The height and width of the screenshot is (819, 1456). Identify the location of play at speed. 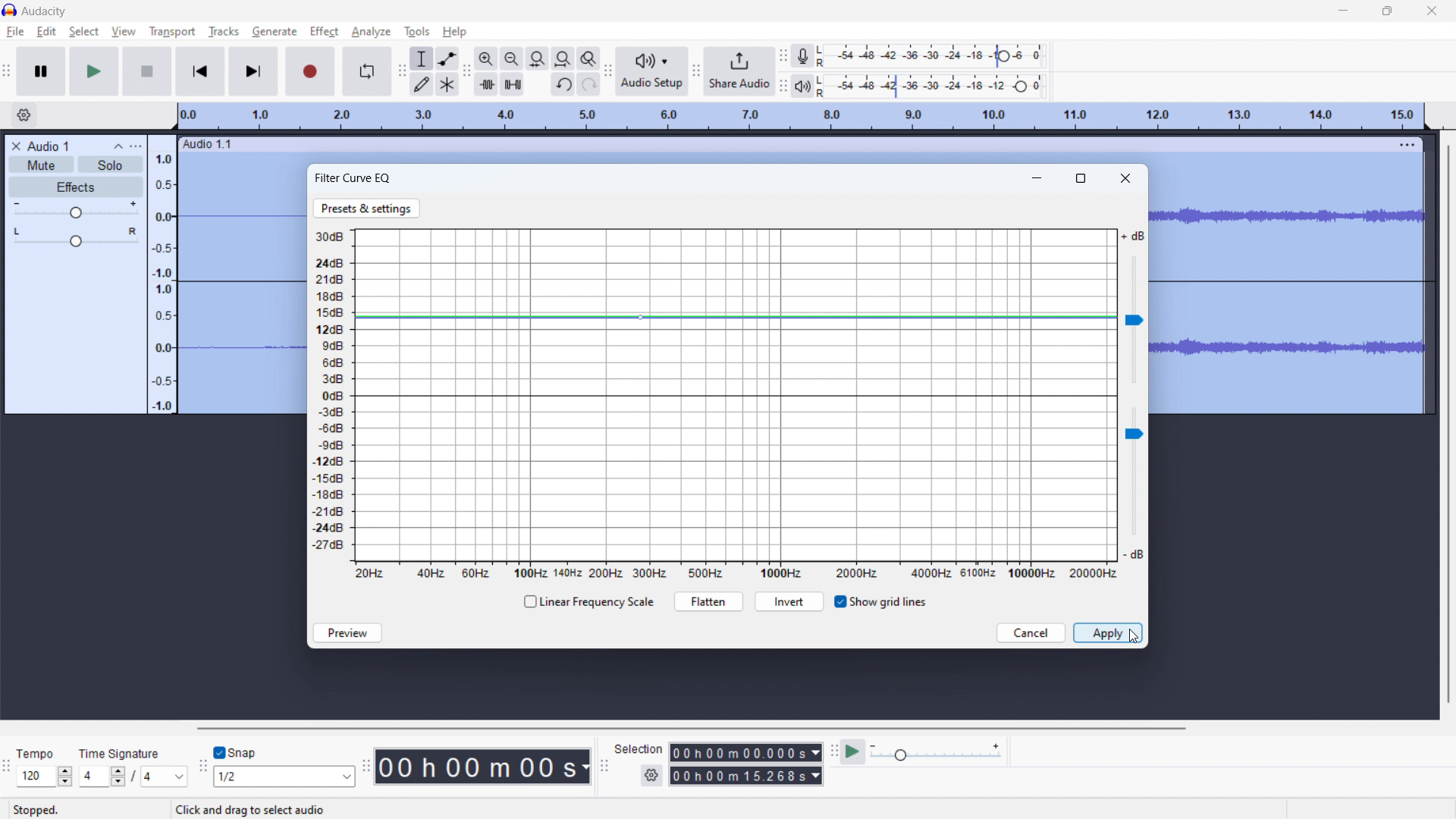
(854, 752).